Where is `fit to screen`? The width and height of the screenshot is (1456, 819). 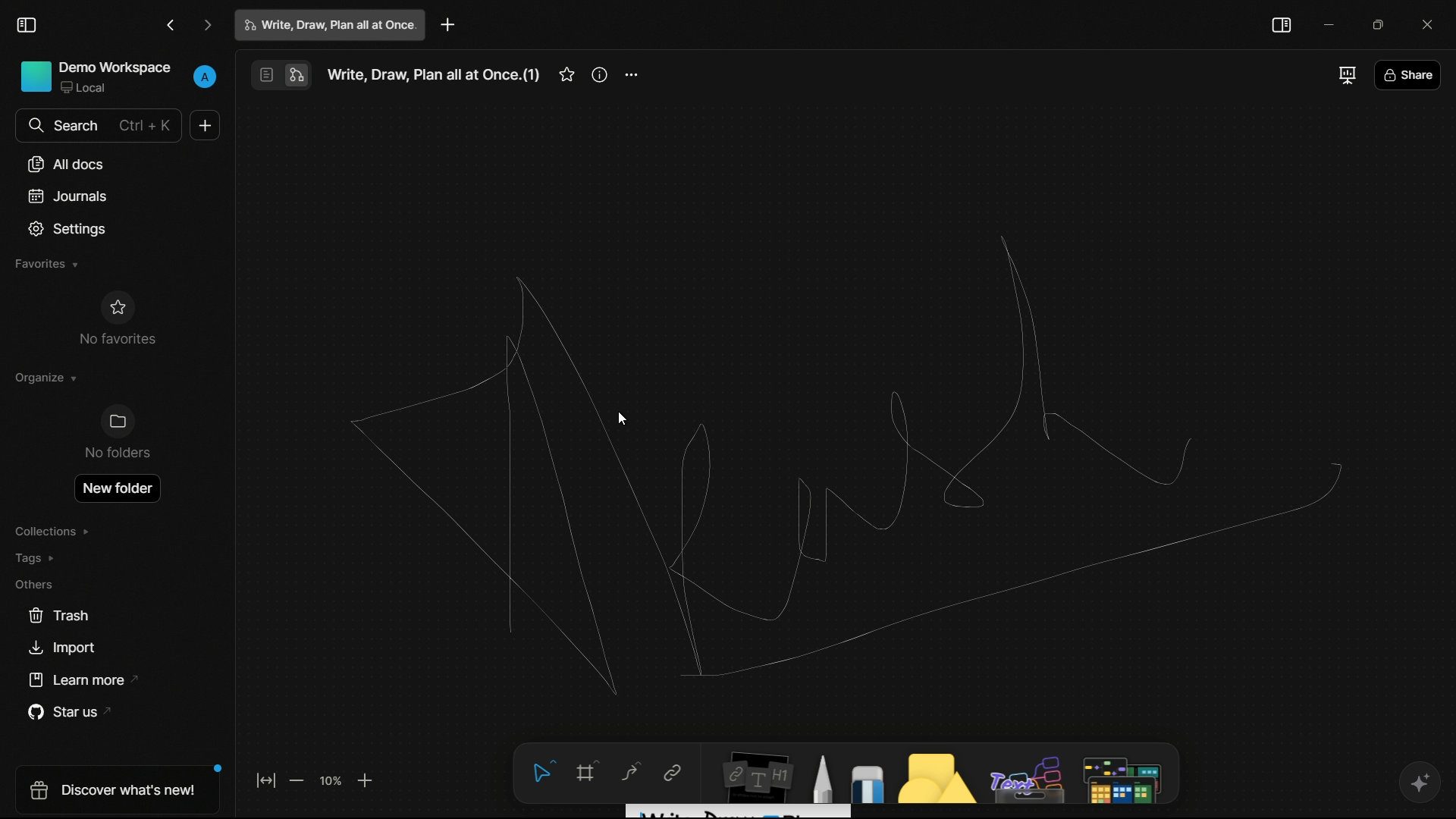 fit to screen is located at coordinates (265, 780).